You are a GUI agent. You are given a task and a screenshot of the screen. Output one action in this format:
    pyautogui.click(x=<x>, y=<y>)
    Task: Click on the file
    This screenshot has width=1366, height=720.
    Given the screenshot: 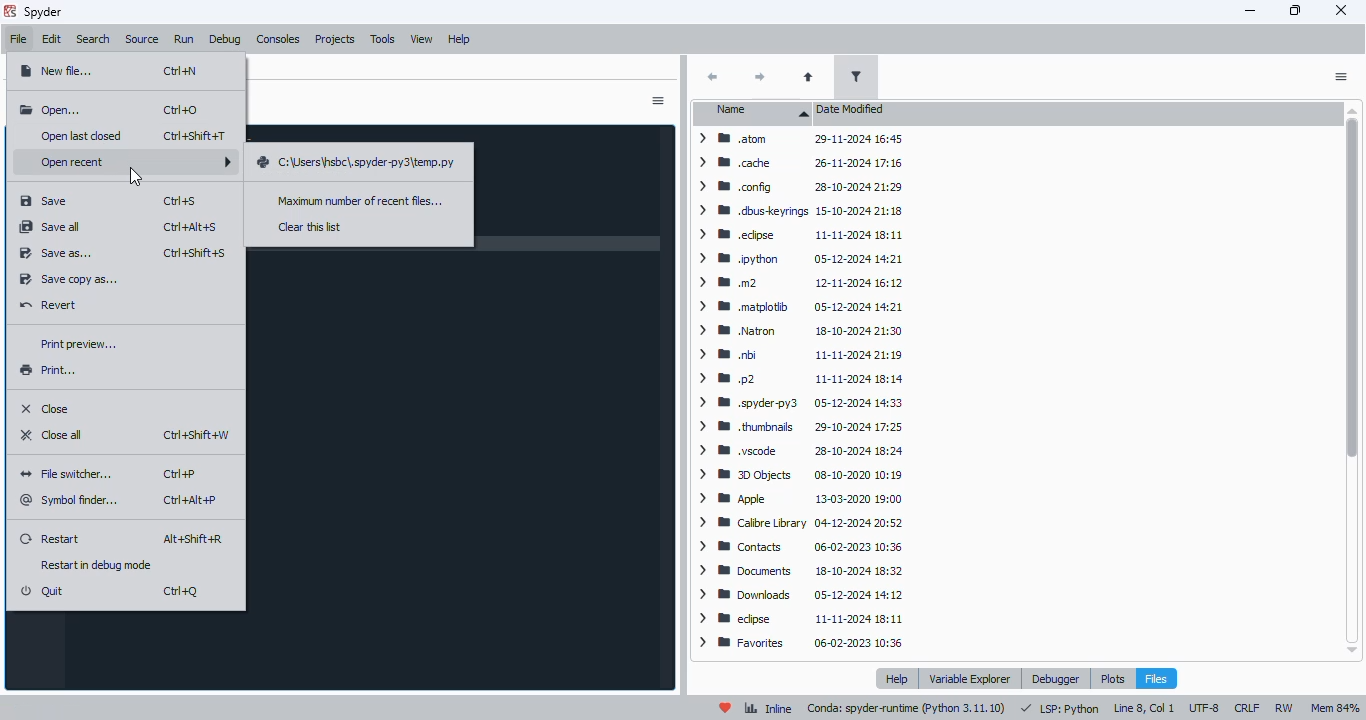 What is the action you would take?
    pyautogui.click(x=17, y=39)
    